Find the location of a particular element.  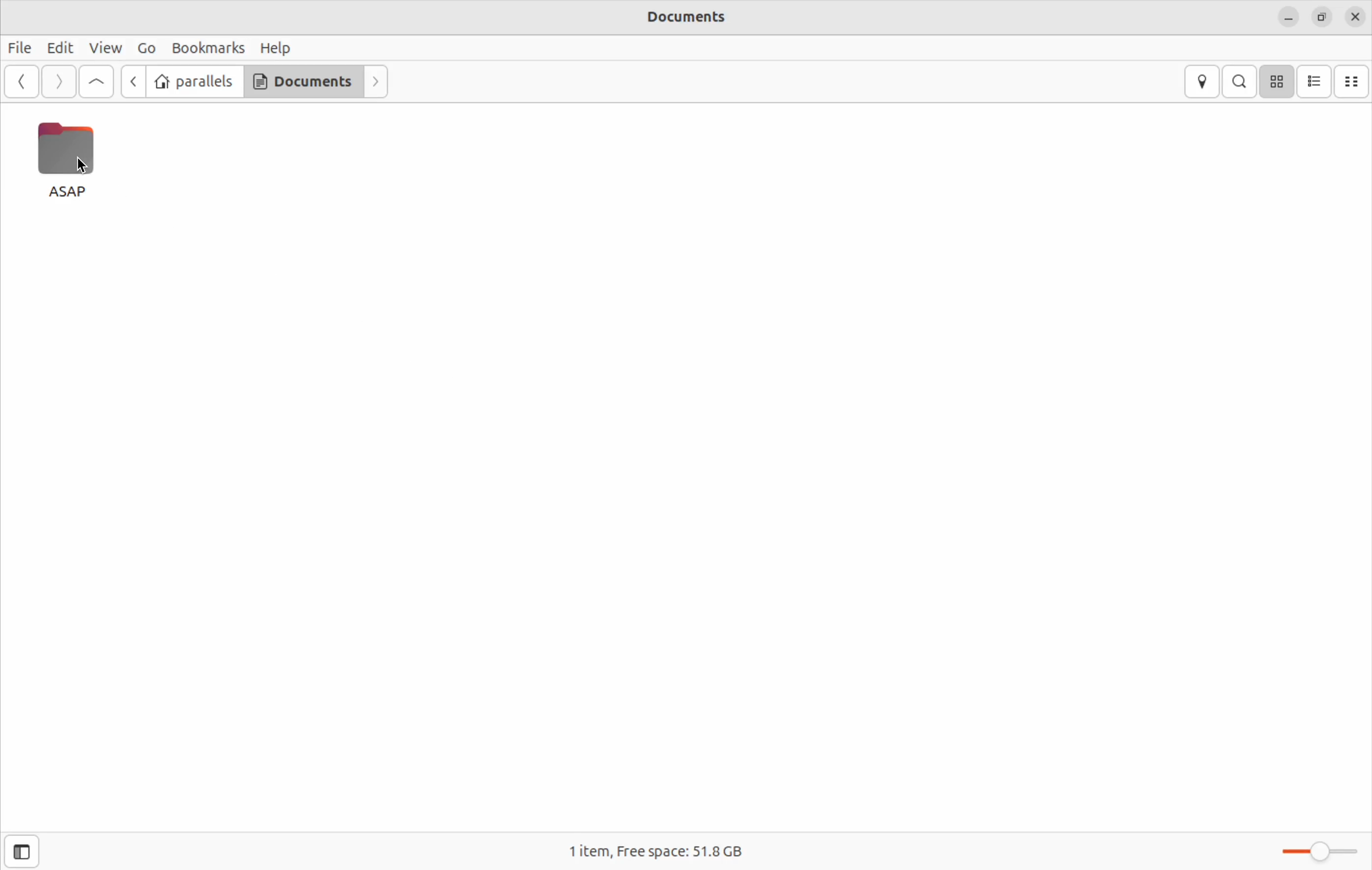

close is located at coordinates (1355, 17).